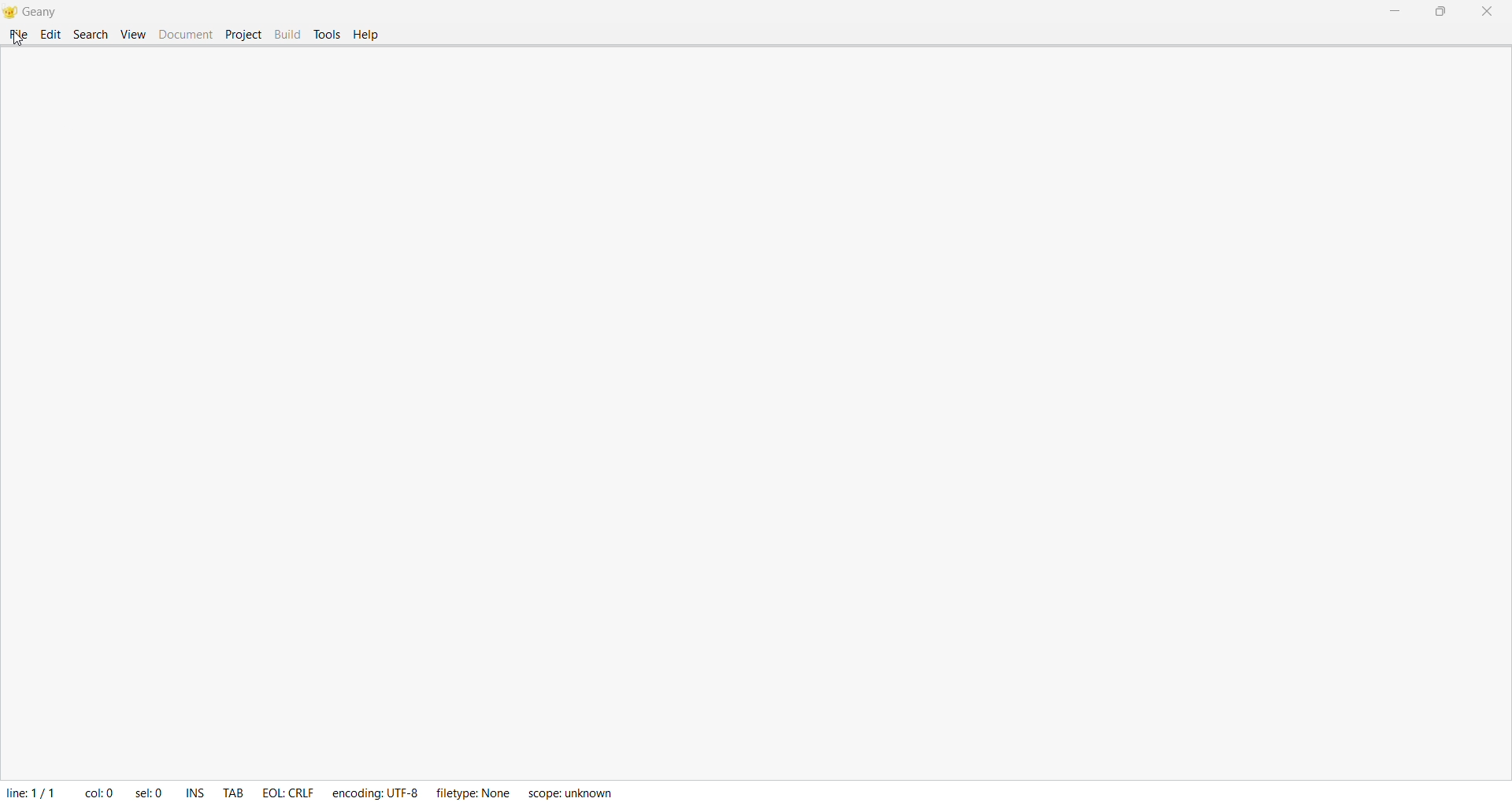  I want to click on INS, so click(192, 791).